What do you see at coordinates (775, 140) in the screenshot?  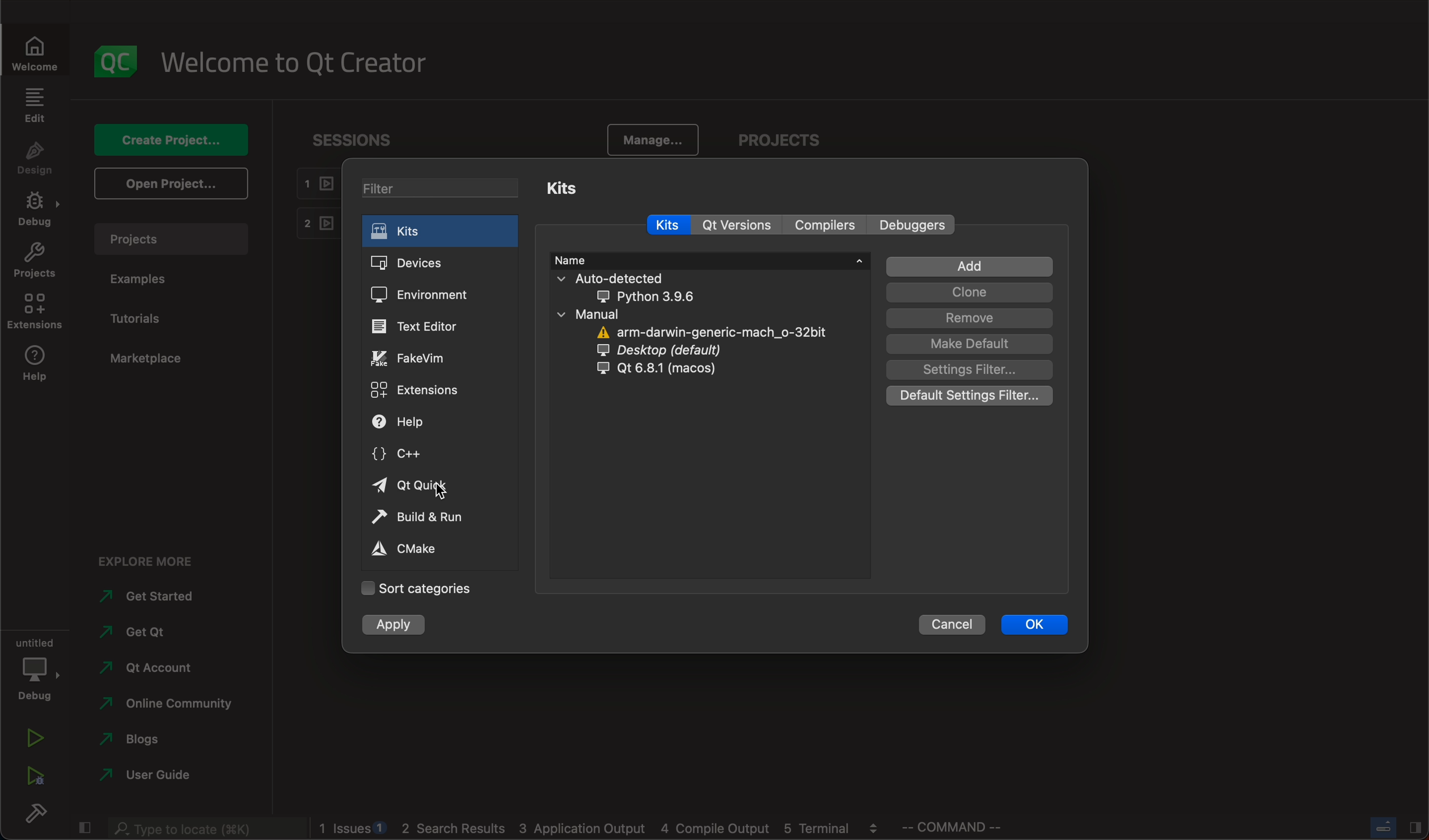 I see `projects` at bounding box center [775, 140].